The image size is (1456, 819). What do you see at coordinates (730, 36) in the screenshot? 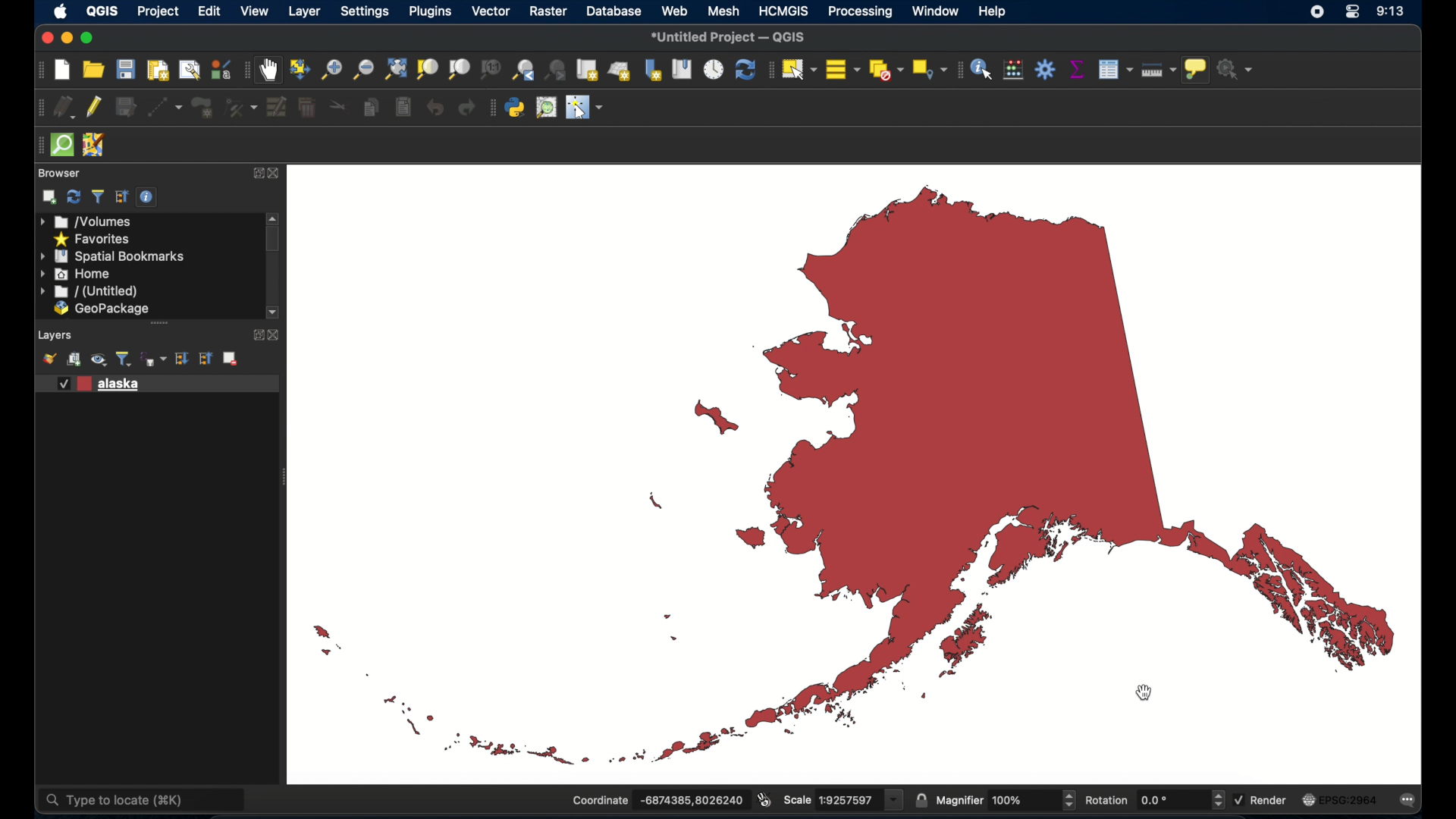
I see `*Untitled Project - QGIS` at bounding box center [730, 36].